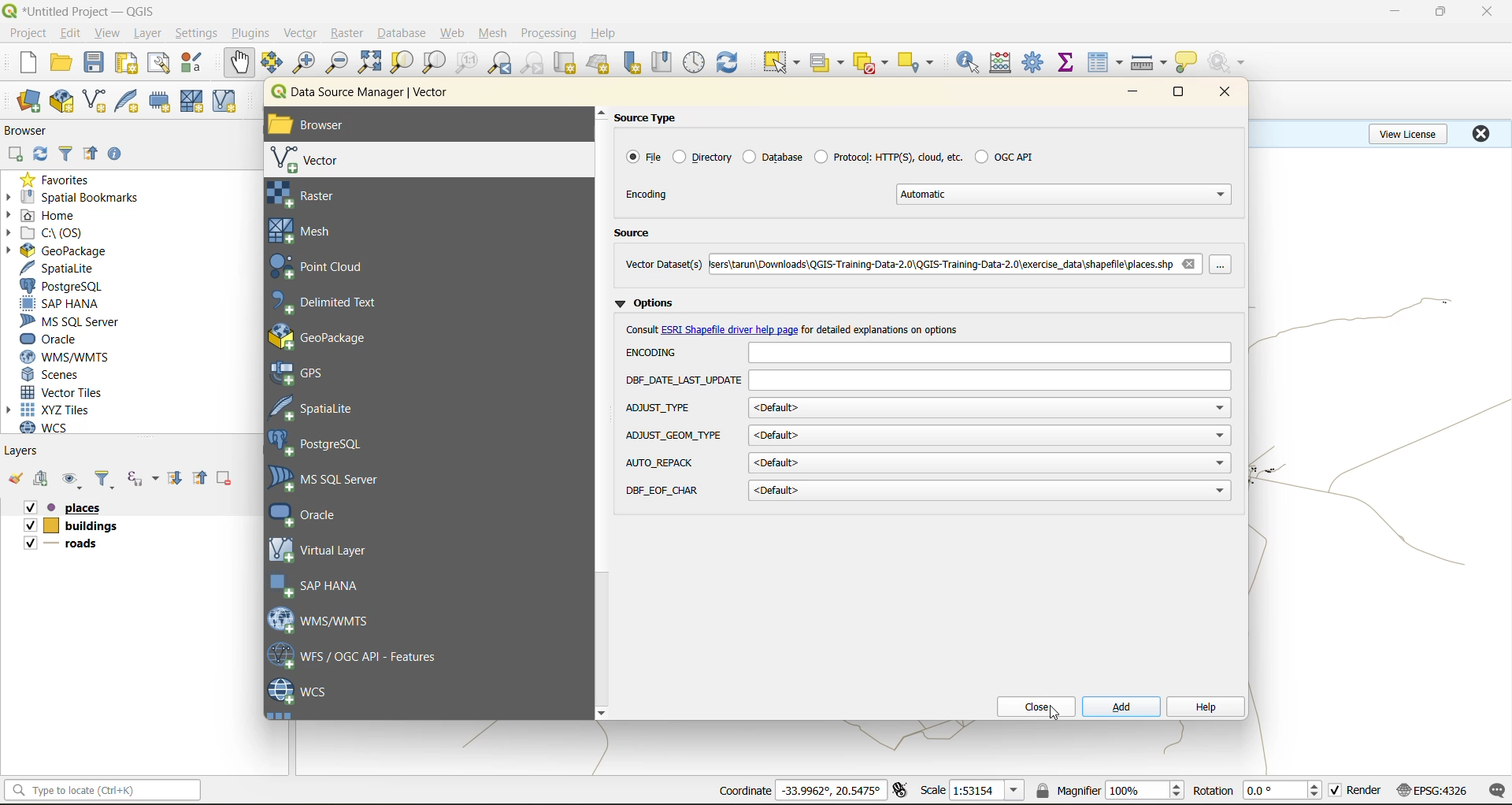  Describe the element at coordinates (1442, 12) in the screenshot. I see `maximize` at that location.